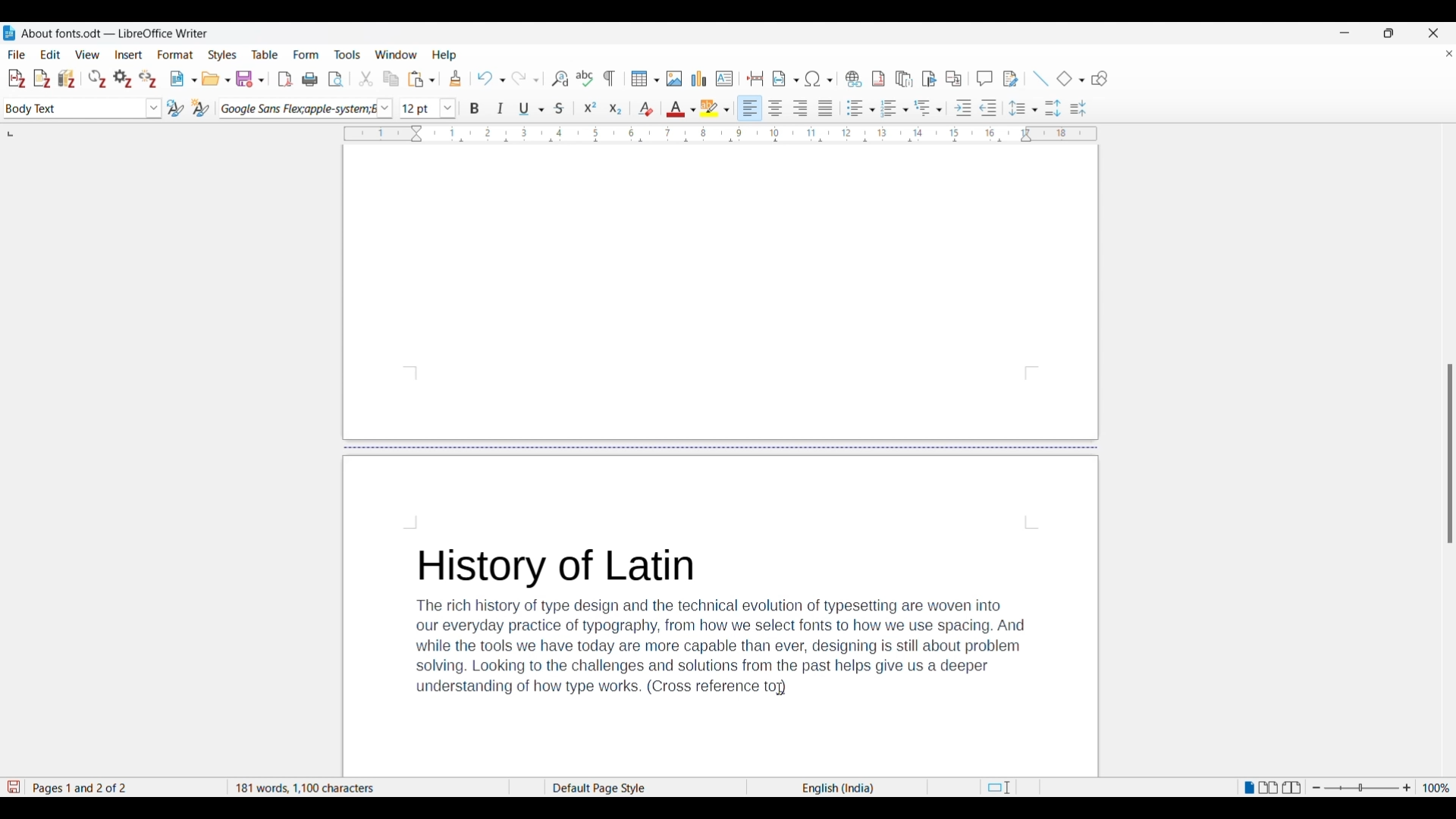 The image size is (1456, 819). I want to click on Check spelling, so click(584, 78).